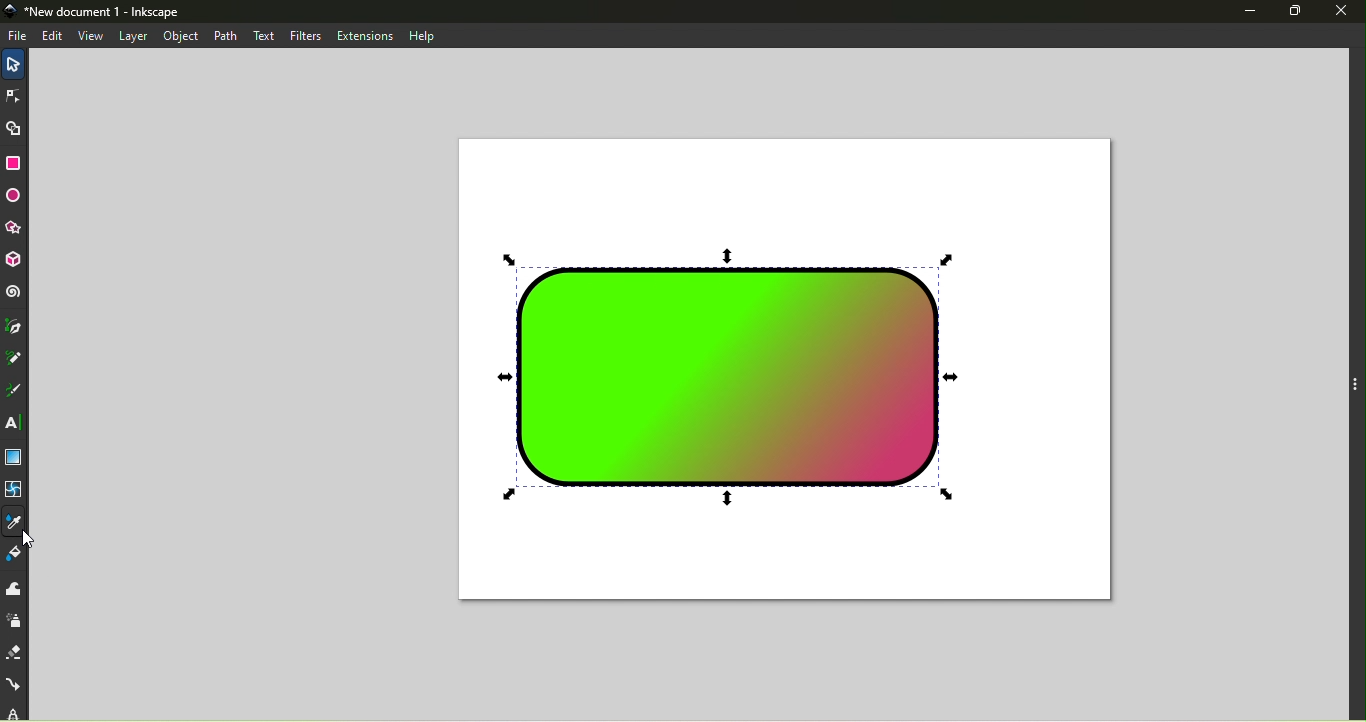 This screenshot has width=1366, height=722. What do you see at coordinates (1344, 10) in the screenshot?
I see `Close` at bounding box center [1344, 10].